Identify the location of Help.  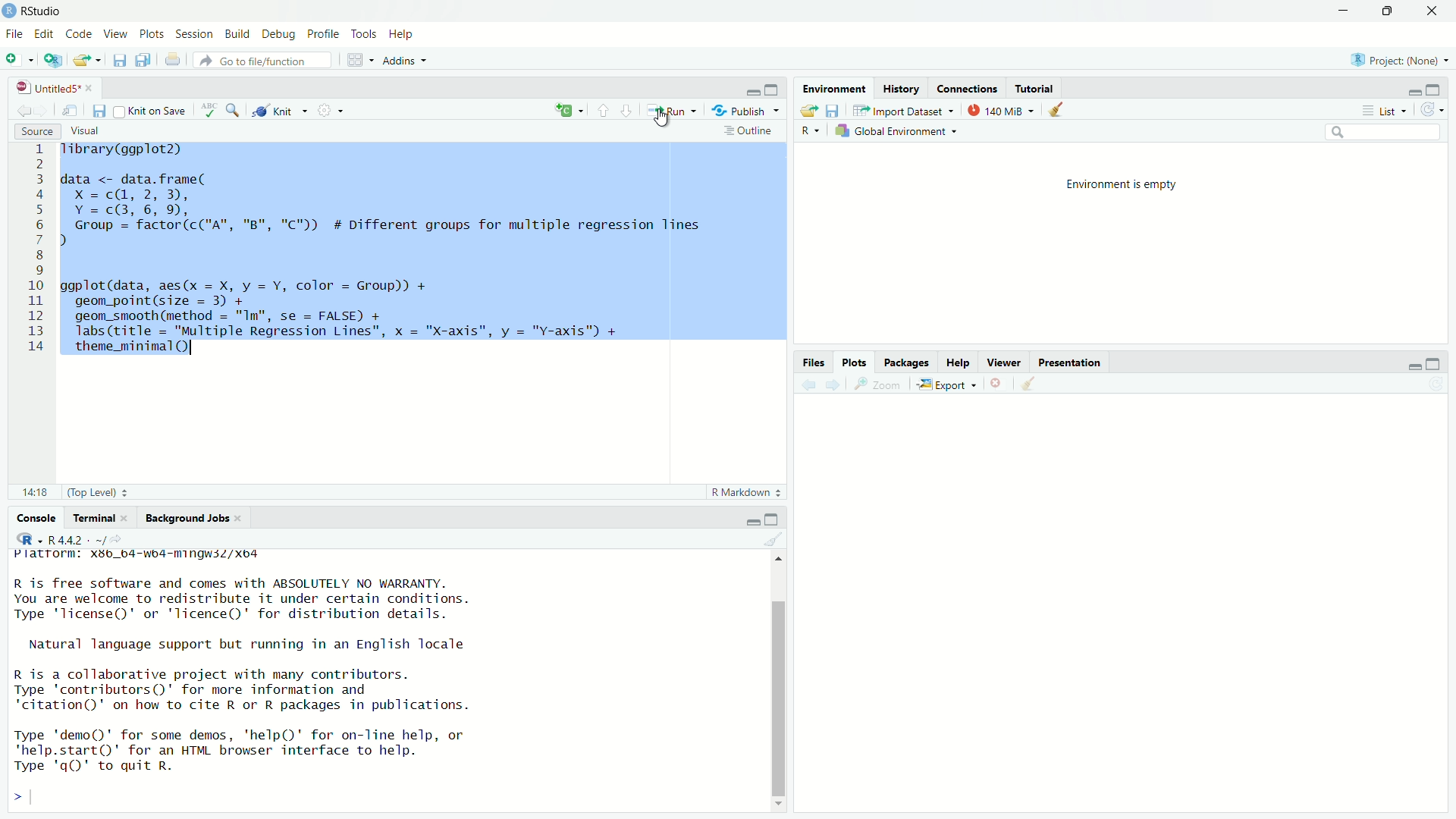
(406, 33).